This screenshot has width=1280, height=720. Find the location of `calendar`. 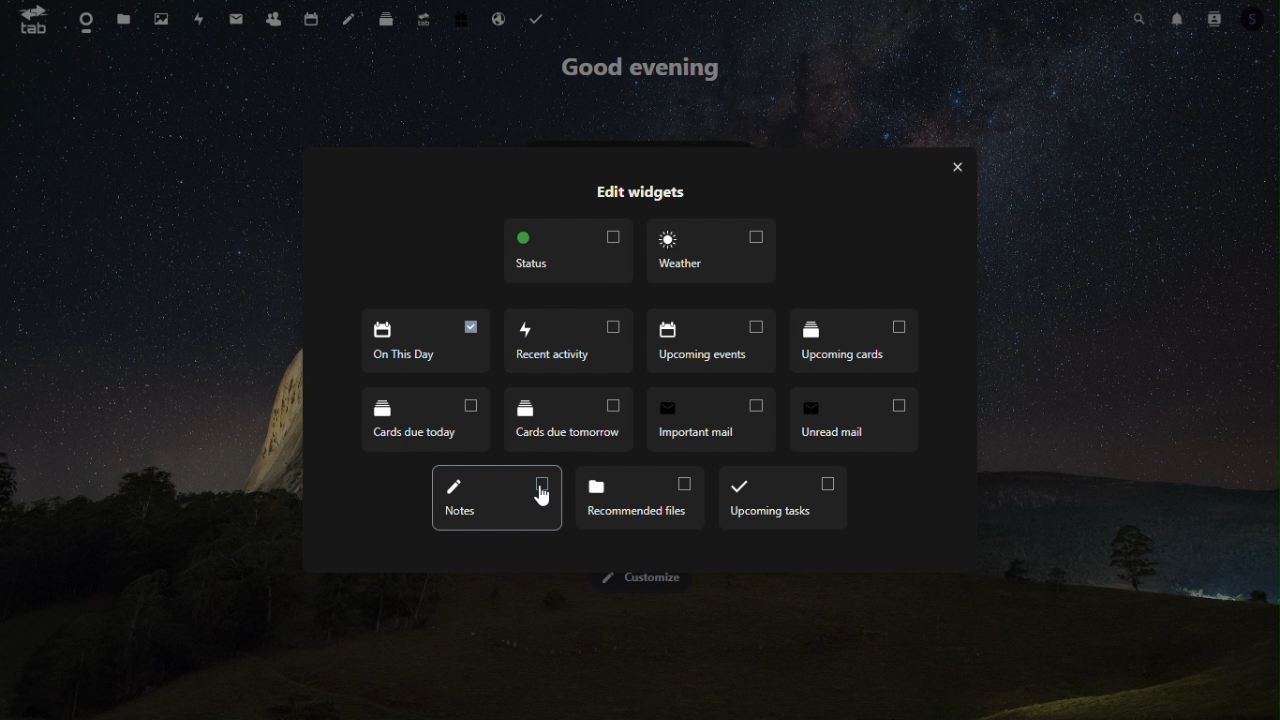

calendar is located at coordinates (313, 17).